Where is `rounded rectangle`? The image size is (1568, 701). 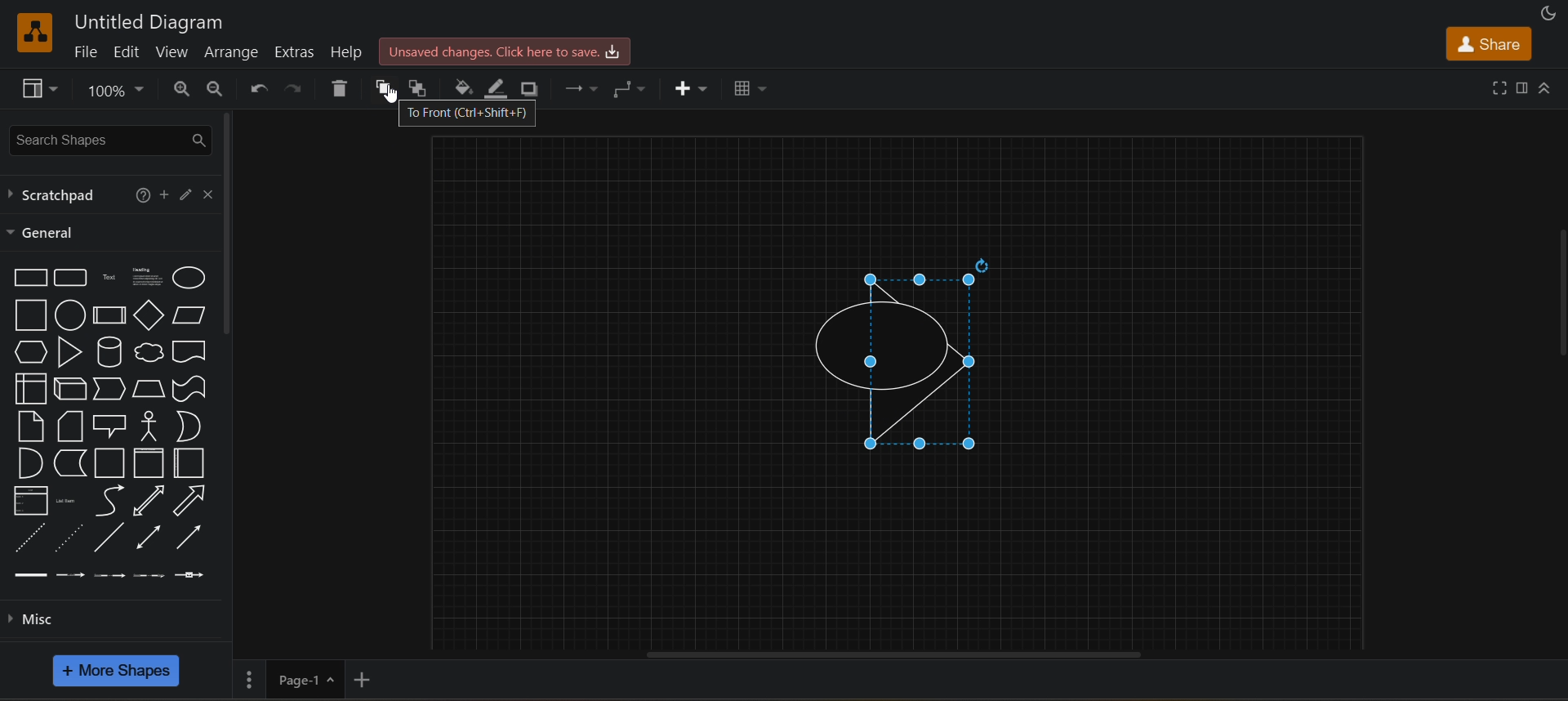
rounded rectangle is located at coordinates (71, 277).